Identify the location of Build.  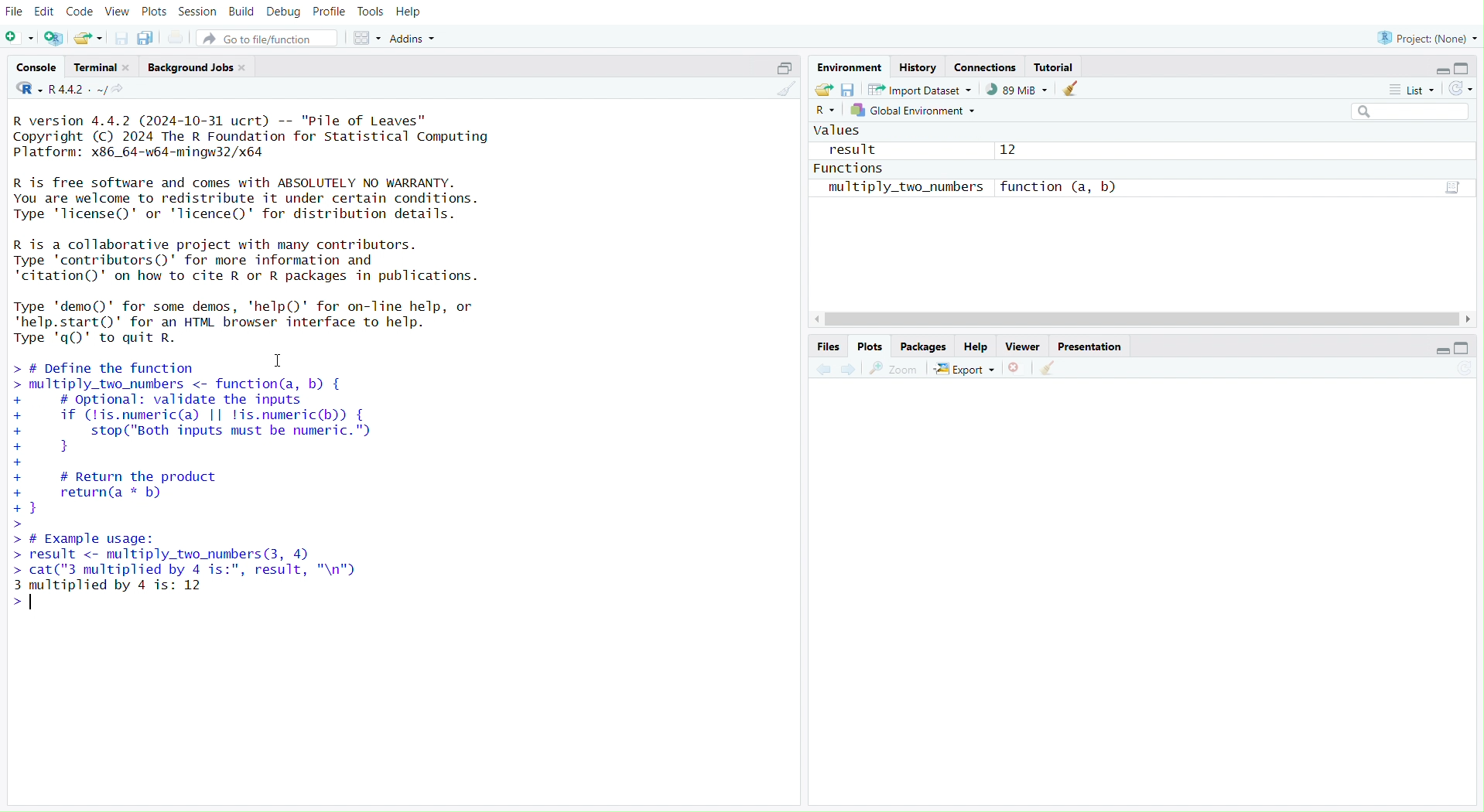
(243, 12).